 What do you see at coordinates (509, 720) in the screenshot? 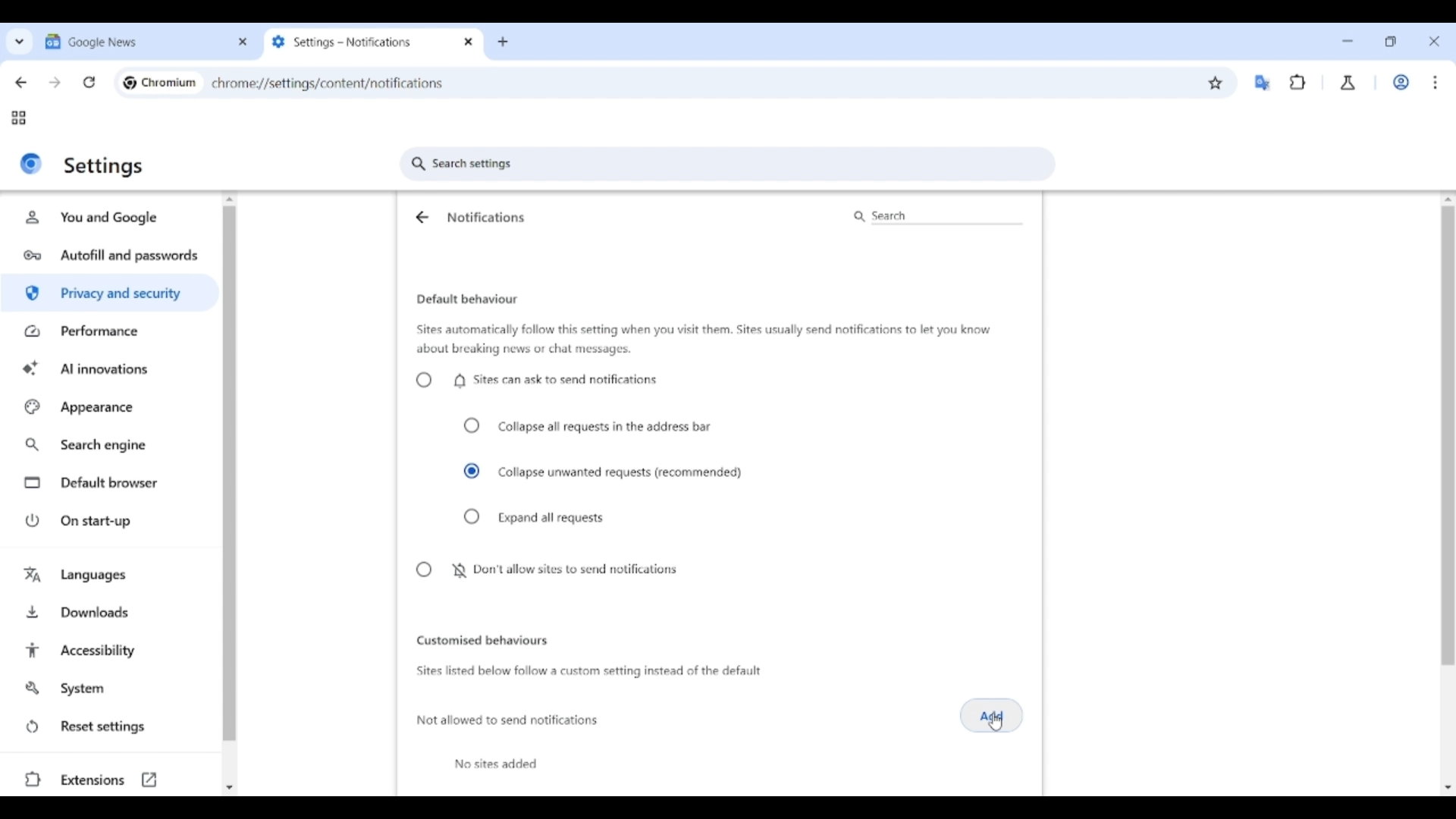
I see `Not allowed to send notifications` at bounding box center [509, 720].